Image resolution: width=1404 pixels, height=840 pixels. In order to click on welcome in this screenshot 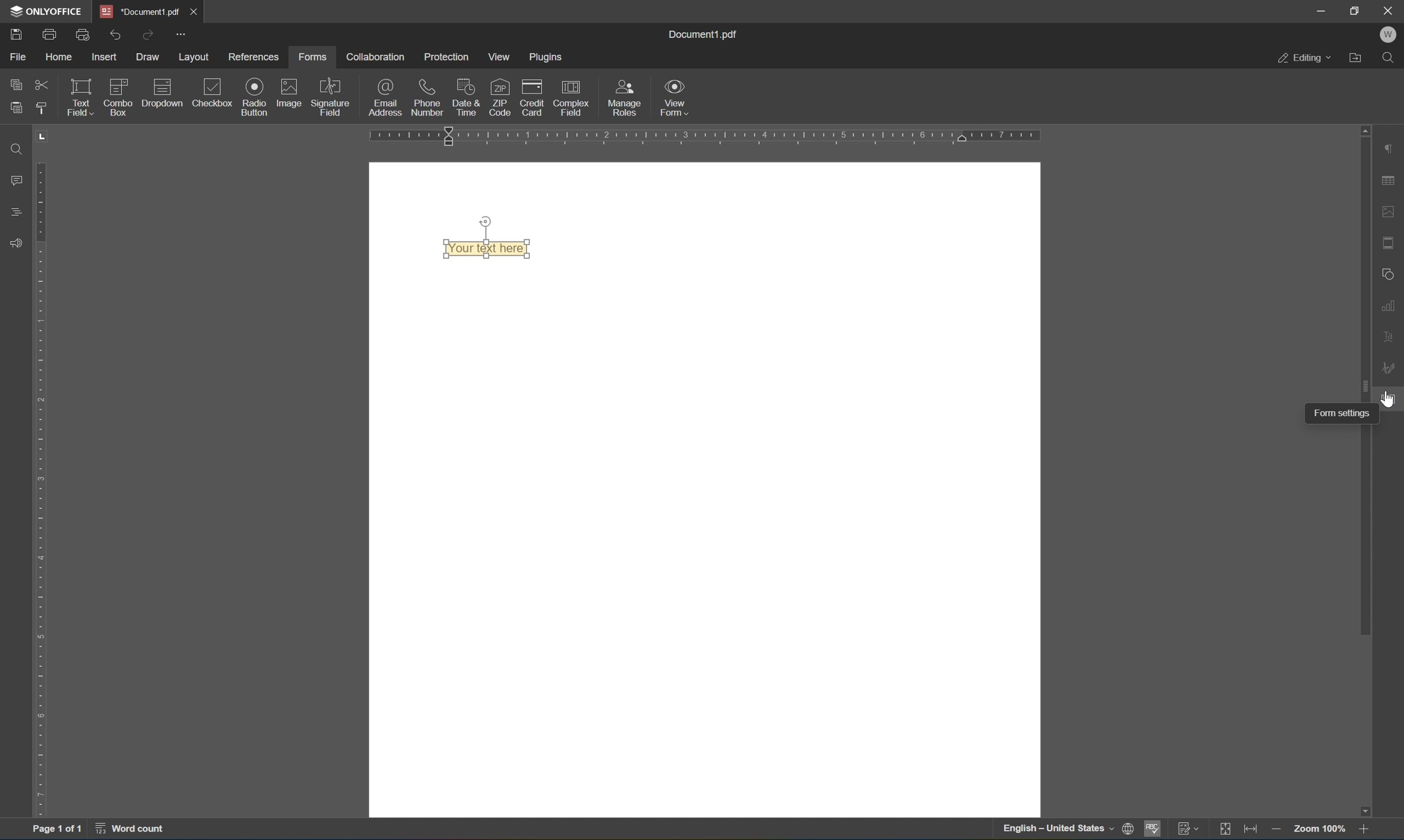, I will do `click(1388, 35)`.